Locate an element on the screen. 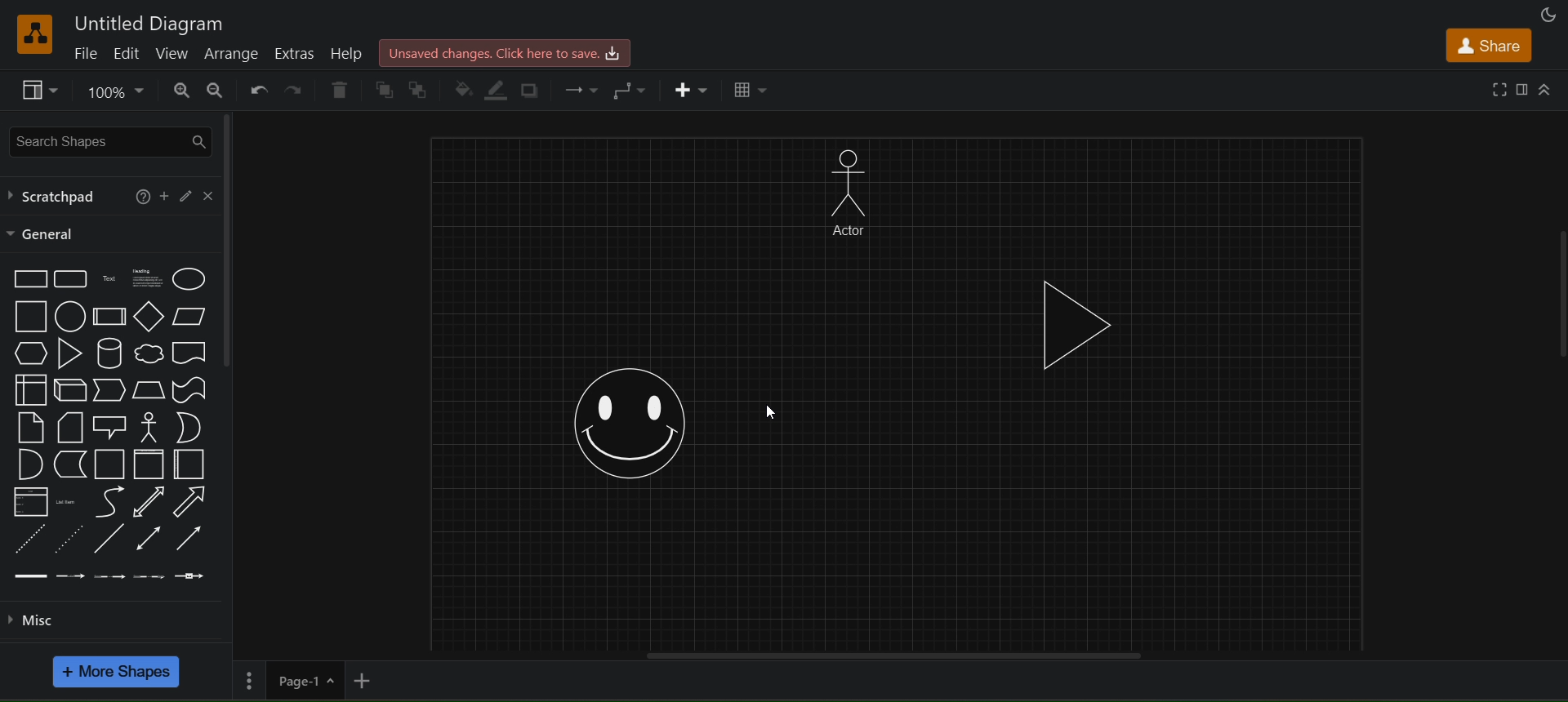 The height and width of the screenshot is (702, 1568). format is located at coordinates (1522, 88).